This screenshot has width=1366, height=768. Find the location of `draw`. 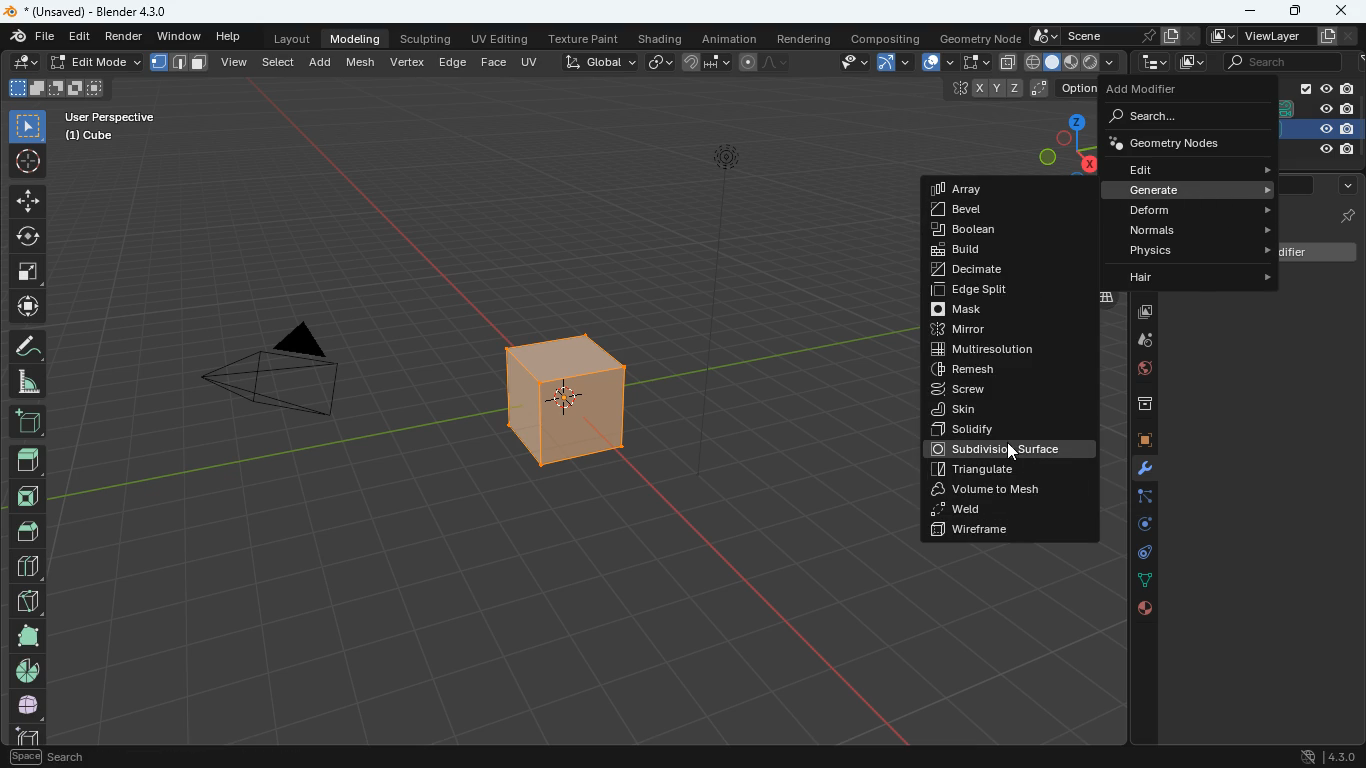

draw is located at coordinates (765, 61).